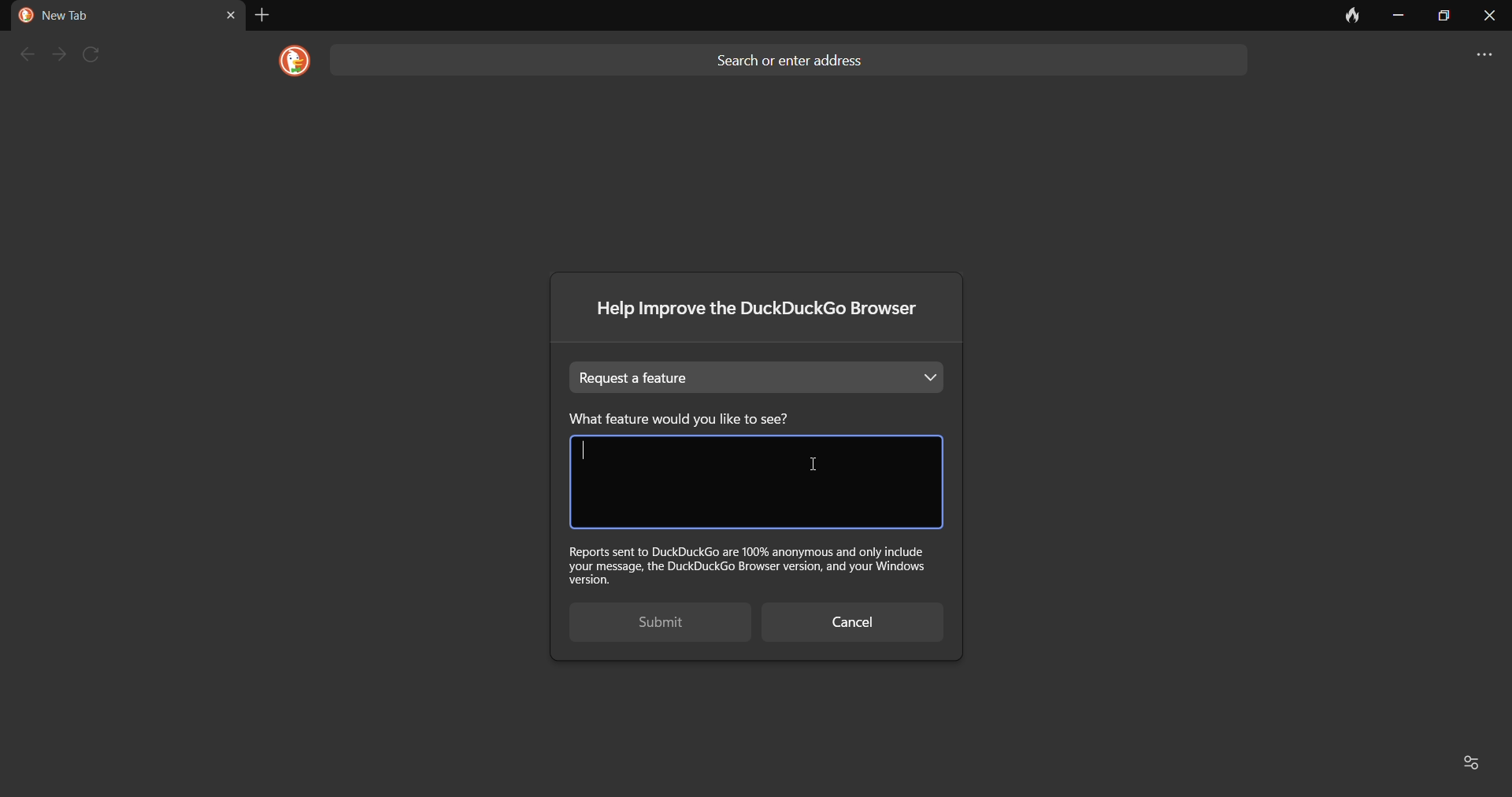 The height and width of the screenshot is (797, 1512). What do you see at coordinates (754, 483) in the screenshot?
I see `write here` at bounding box center [754, 483].